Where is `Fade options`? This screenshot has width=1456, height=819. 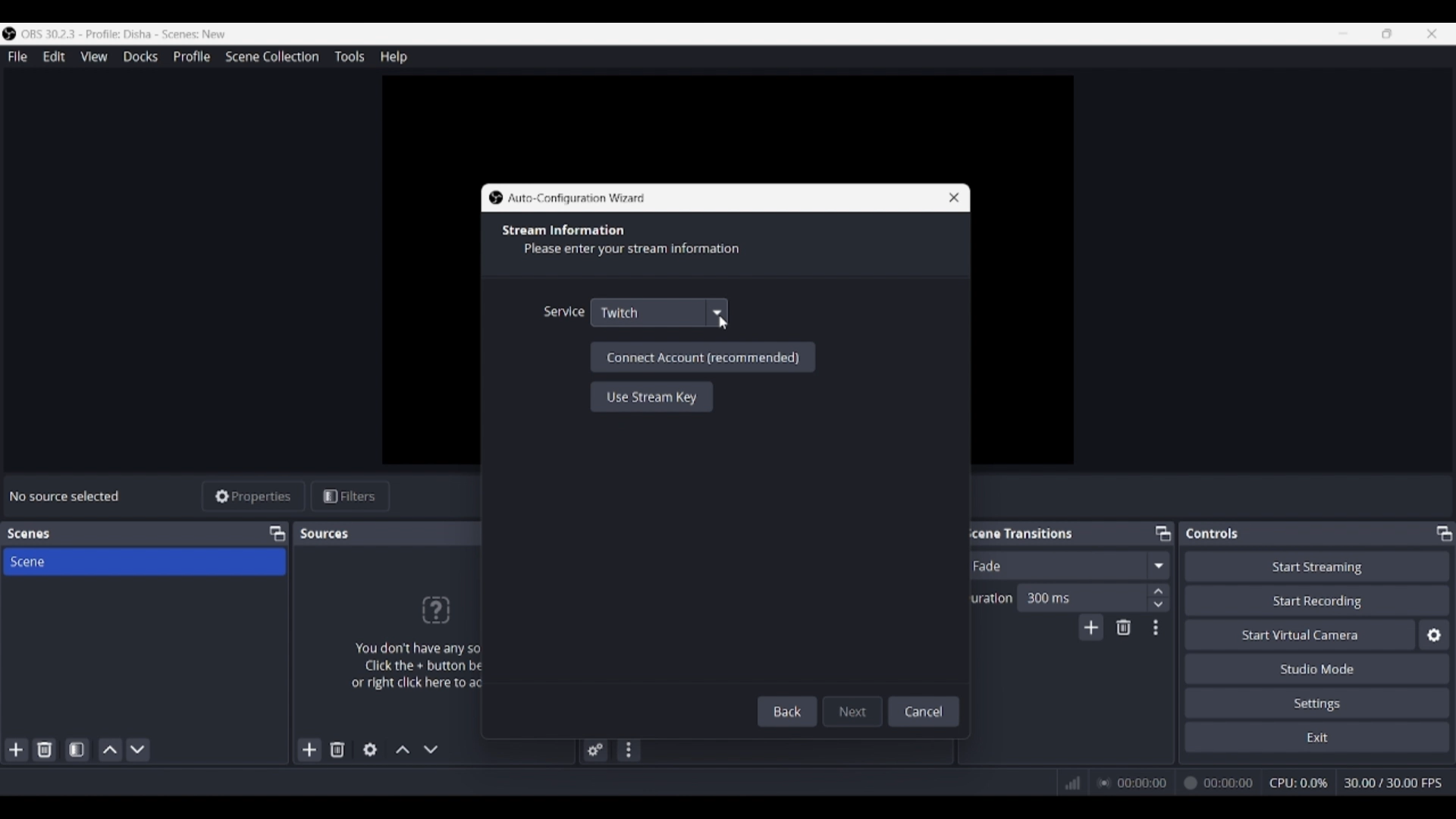
Fade options is located at coordinates (1158, 565).